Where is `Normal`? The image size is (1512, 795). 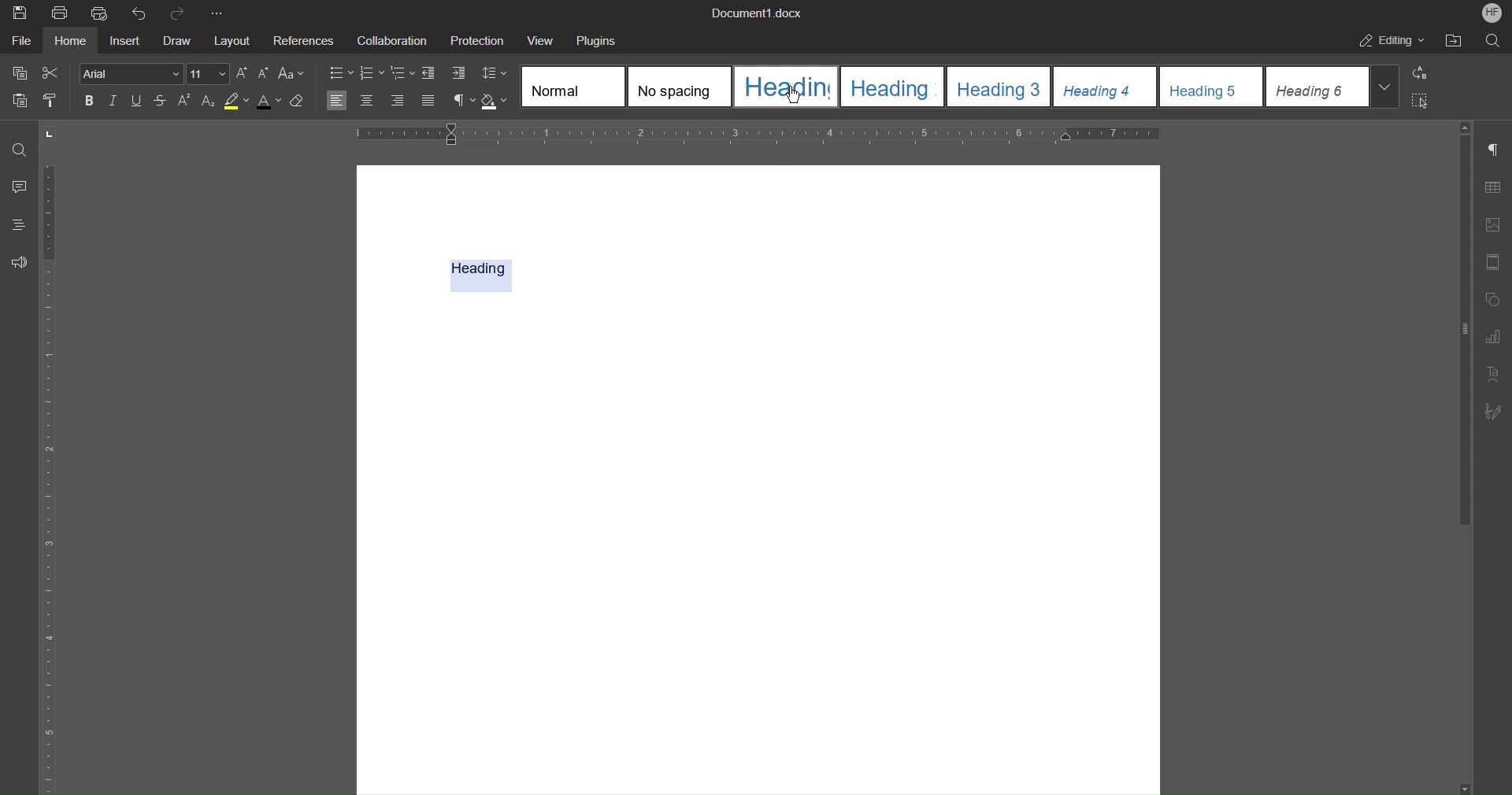 Normal is located at coordinates (567, 86).